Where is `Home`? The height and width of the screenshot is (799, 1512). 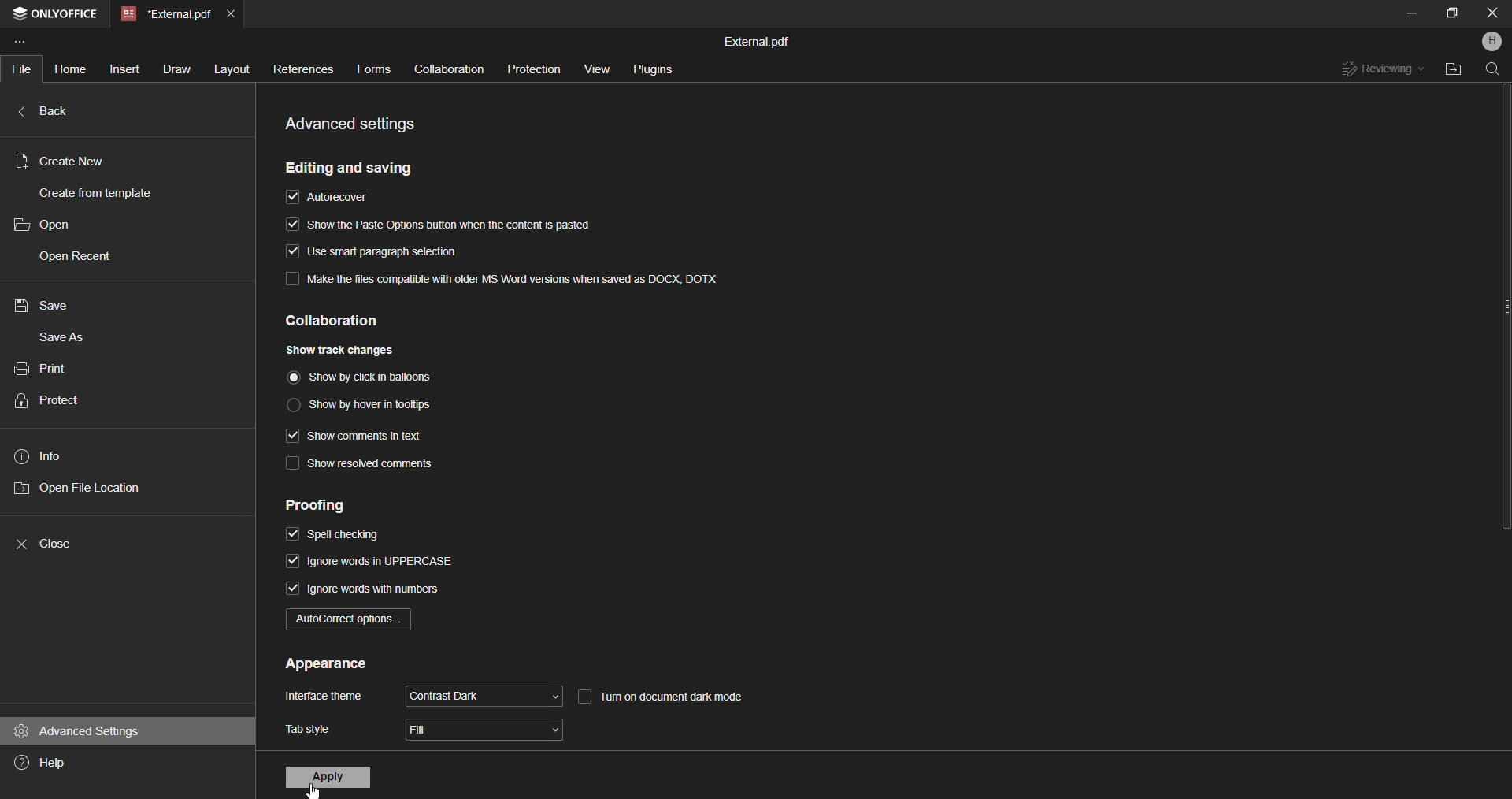 Home is located at coordinates (69, 68).